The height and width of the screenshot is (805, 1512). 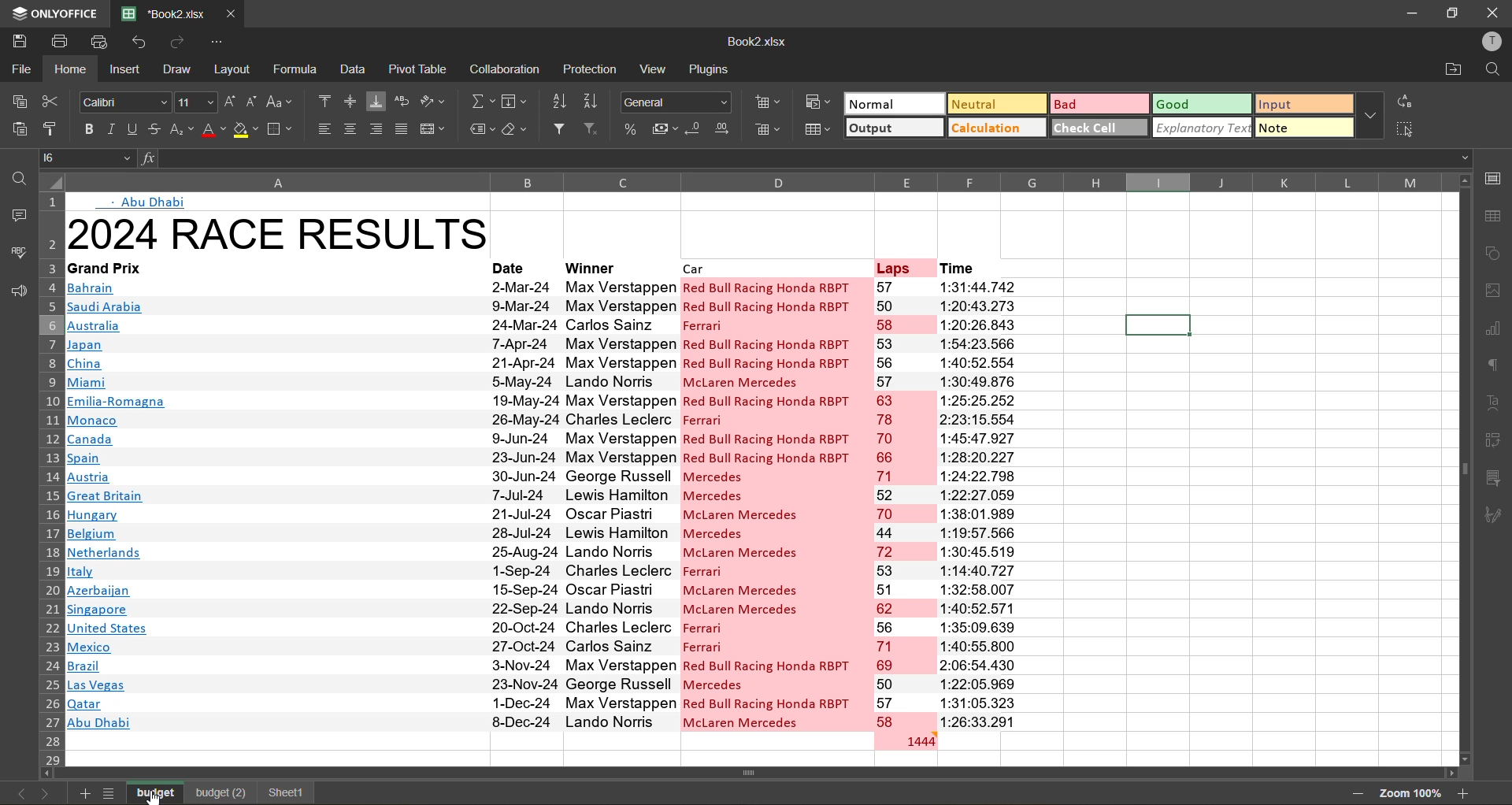 I want to click on orientation, so click(x=435, y=102).